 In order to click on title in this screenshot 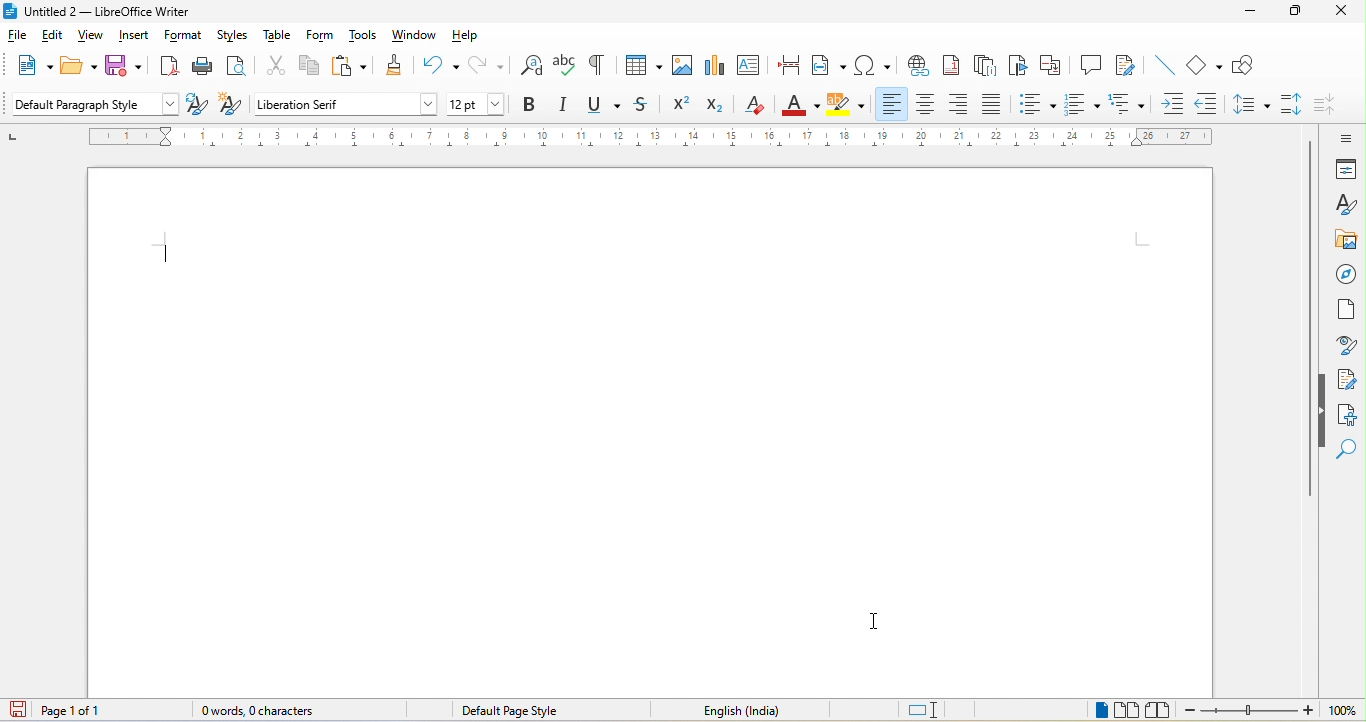, I will do `click(105, 12)`.